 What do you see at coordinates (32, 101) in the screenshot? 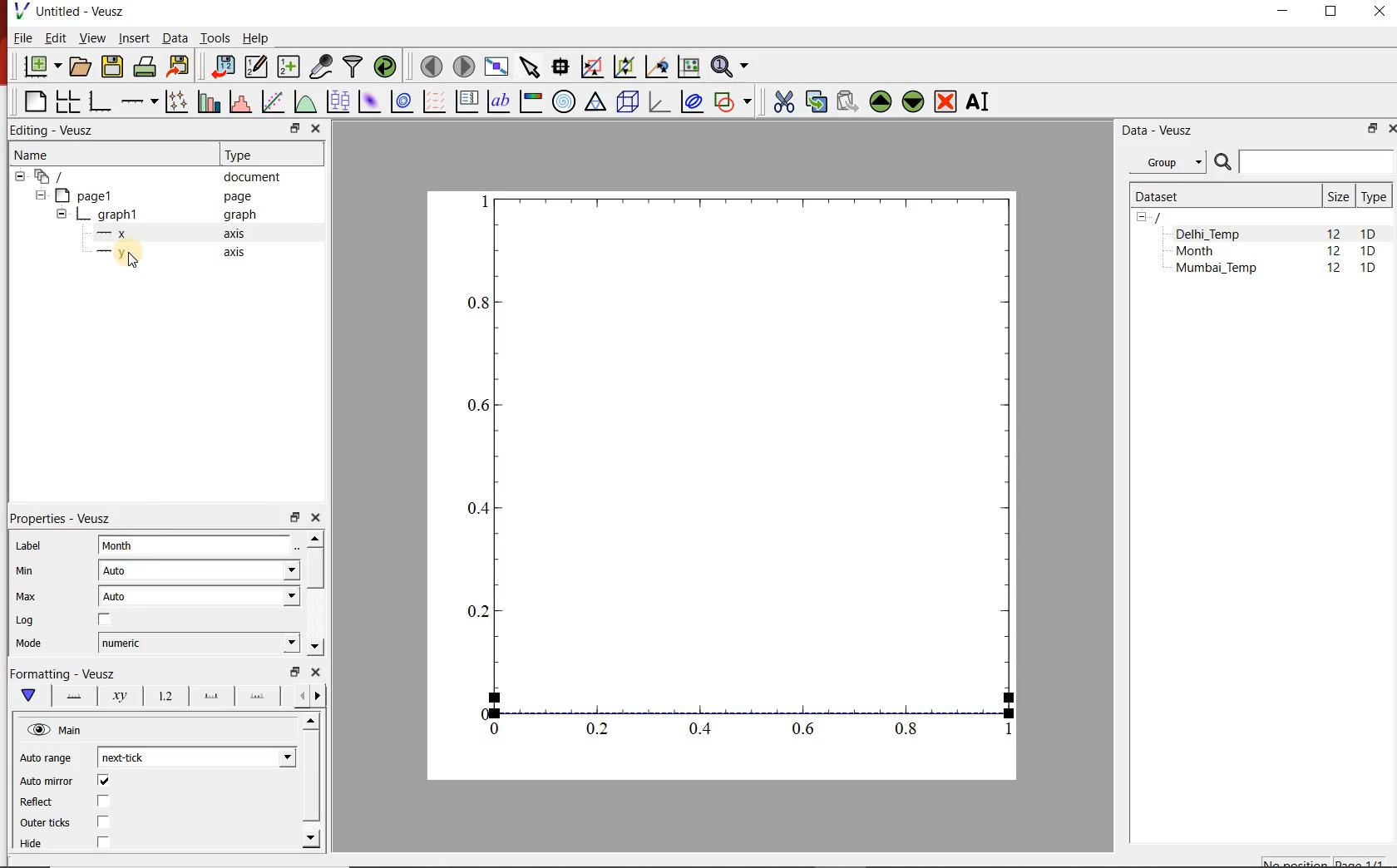
I see `blank page` at bounding box center [32, 101].